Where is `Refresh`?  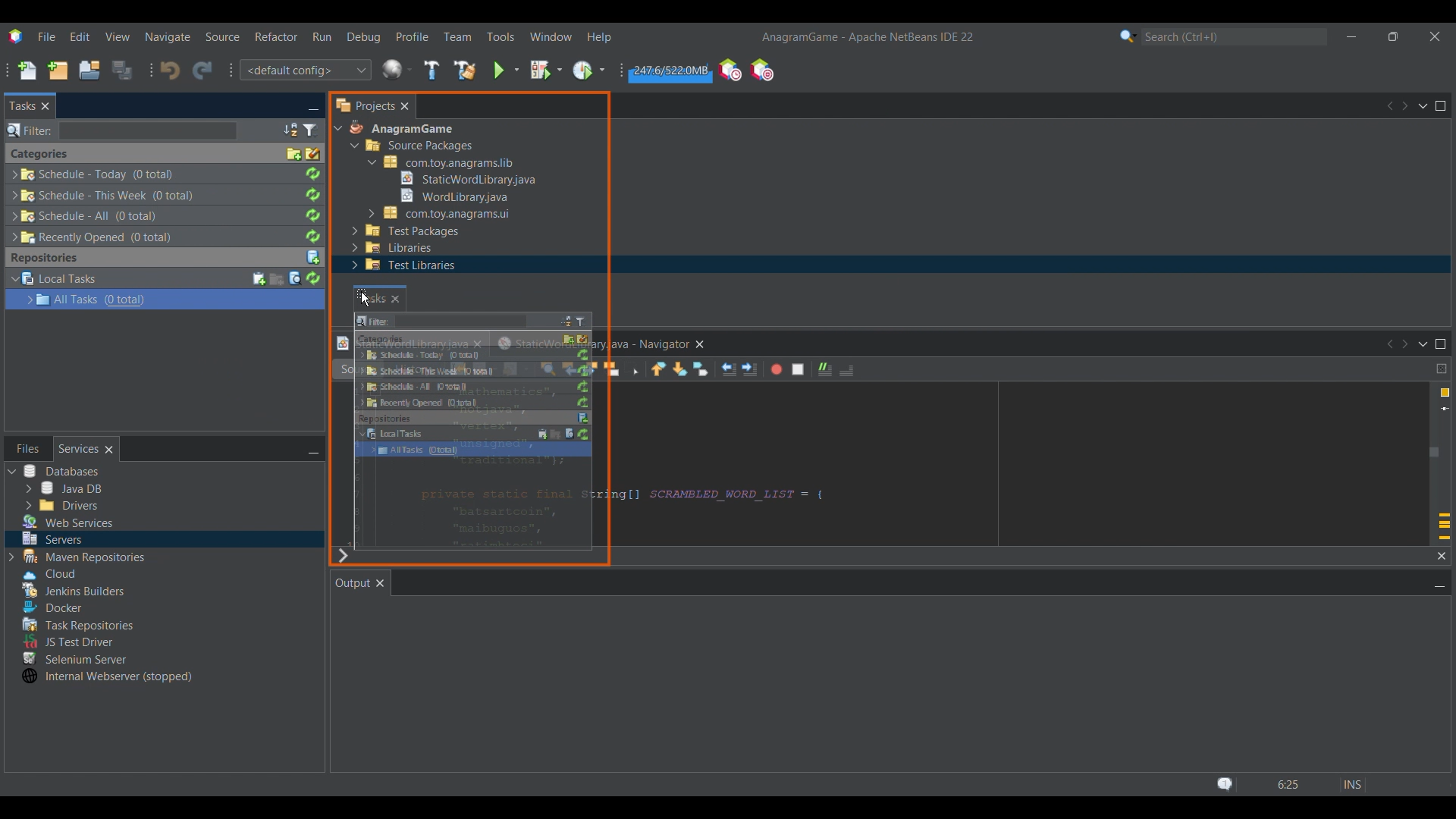 Refresh is located at coordinates (312, 278).